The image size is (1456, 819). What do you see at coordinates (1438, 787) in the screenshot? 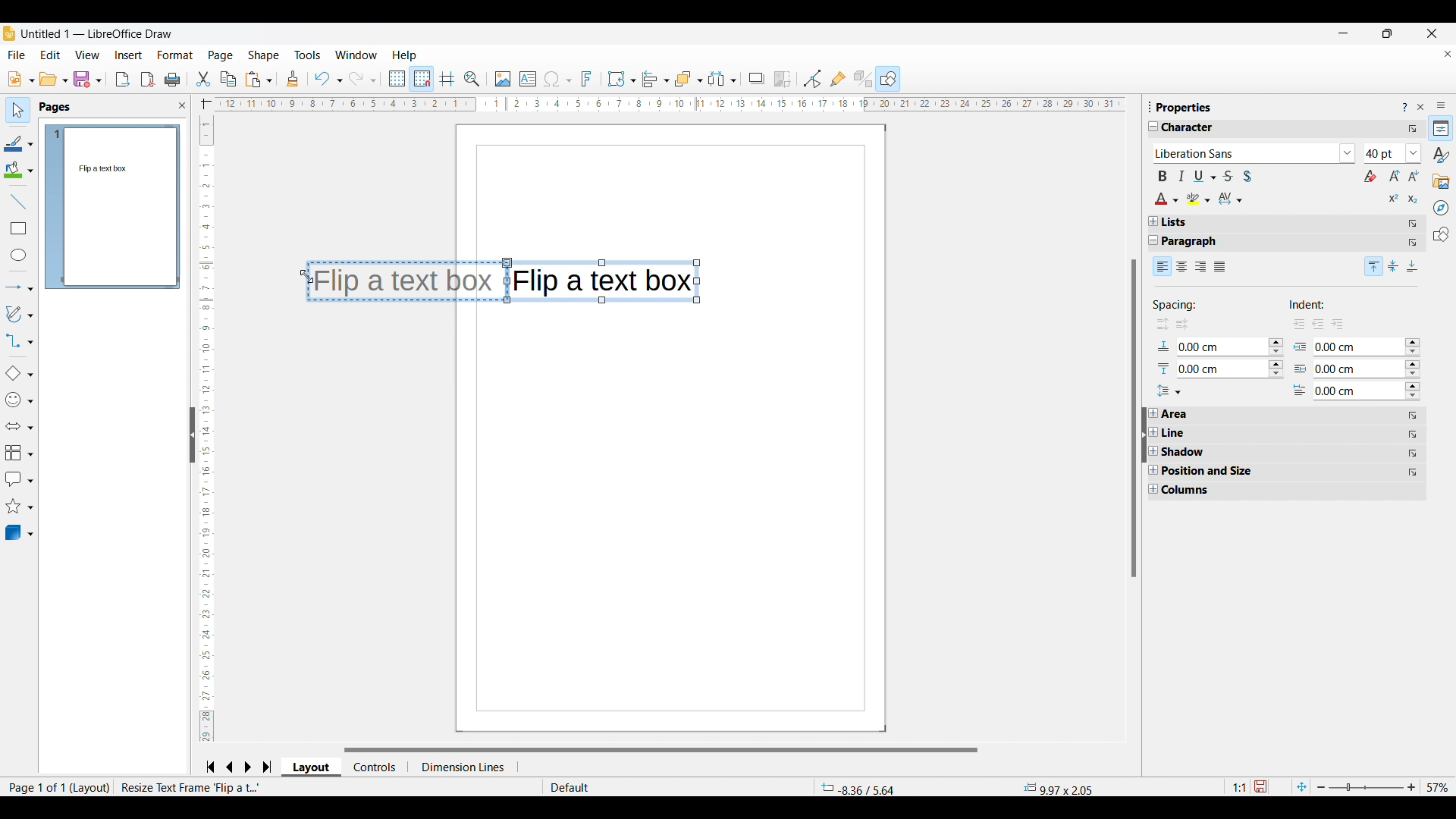
I see `Current zoom factor` at bounding box center [1438, 787].